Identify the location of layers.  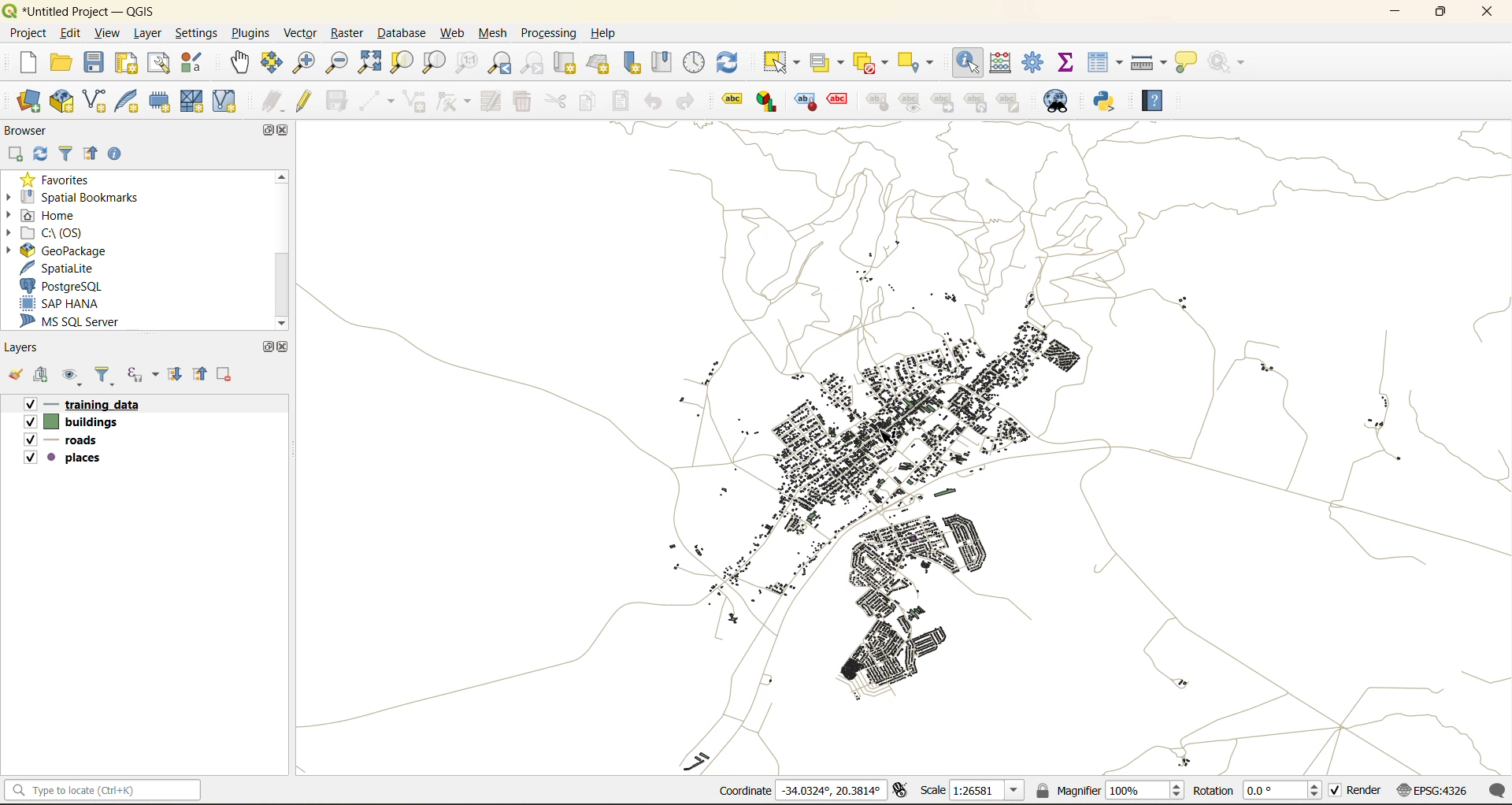
(25, 348).